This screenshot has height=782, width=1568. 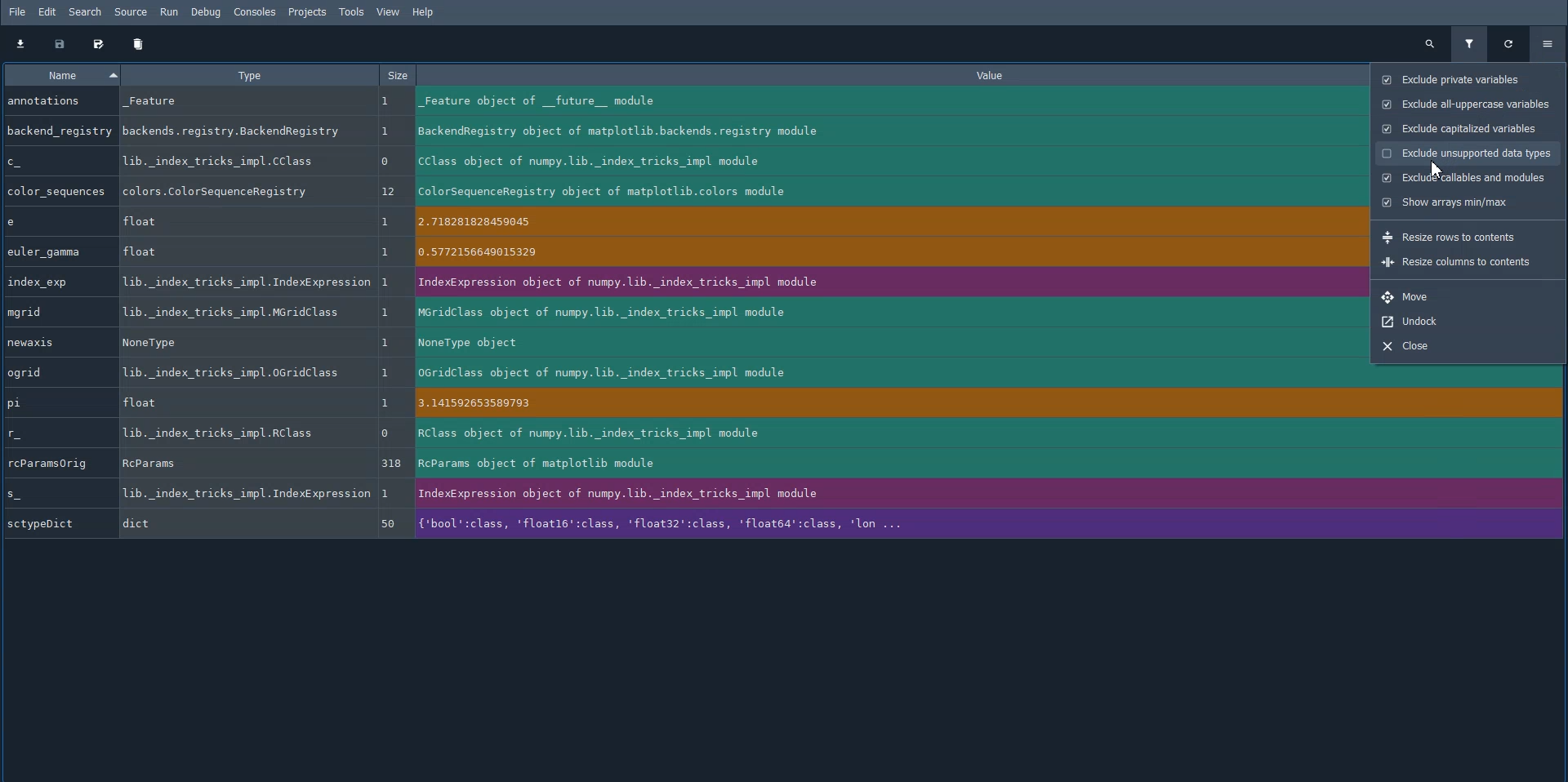 What do you see at coordinates (1549, 42) in the screenshot?
I see `Options` at bounding box center [1549, 42].